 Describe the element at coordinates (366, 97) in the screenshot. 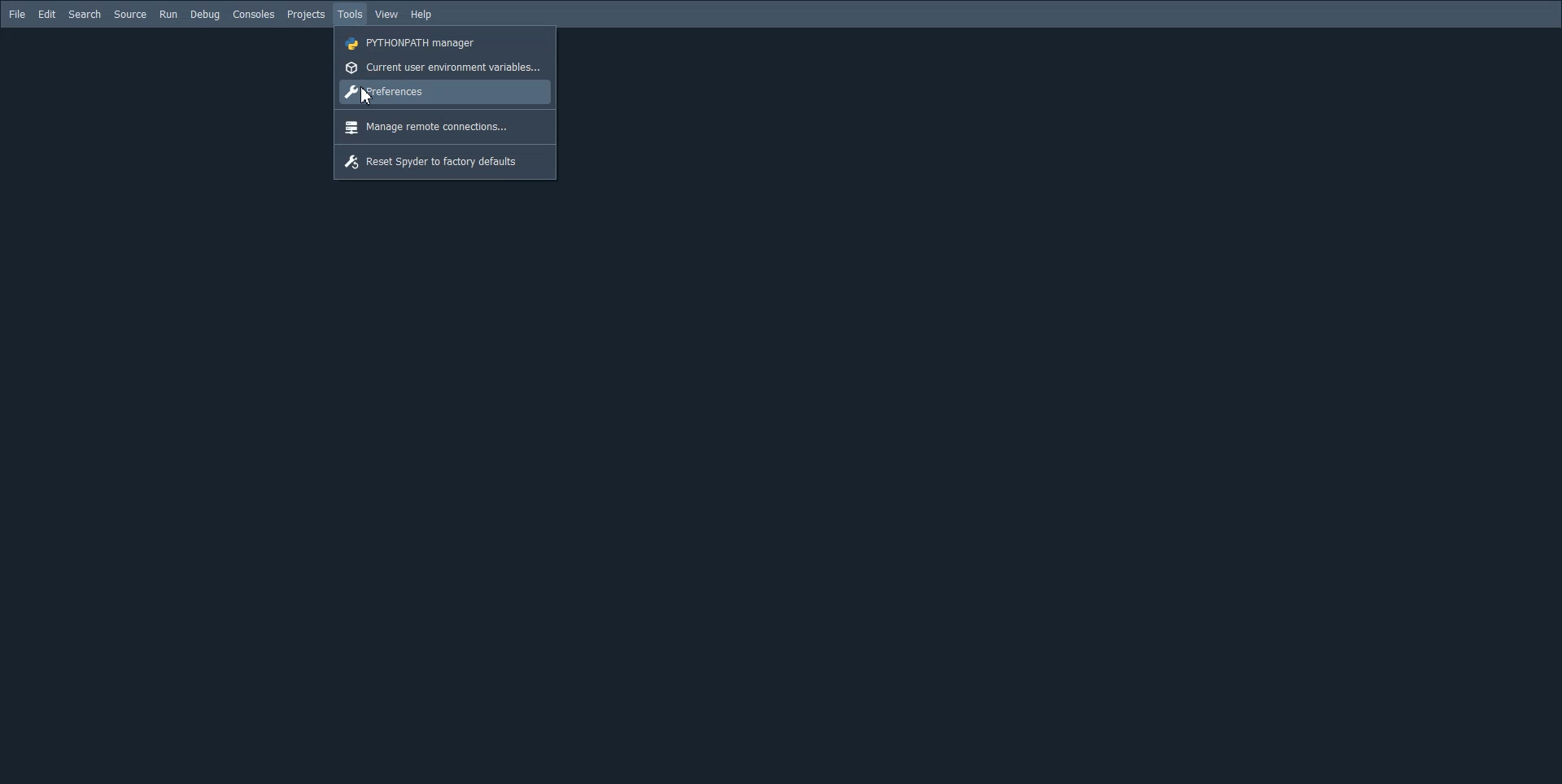

I see `cursor` at that location.